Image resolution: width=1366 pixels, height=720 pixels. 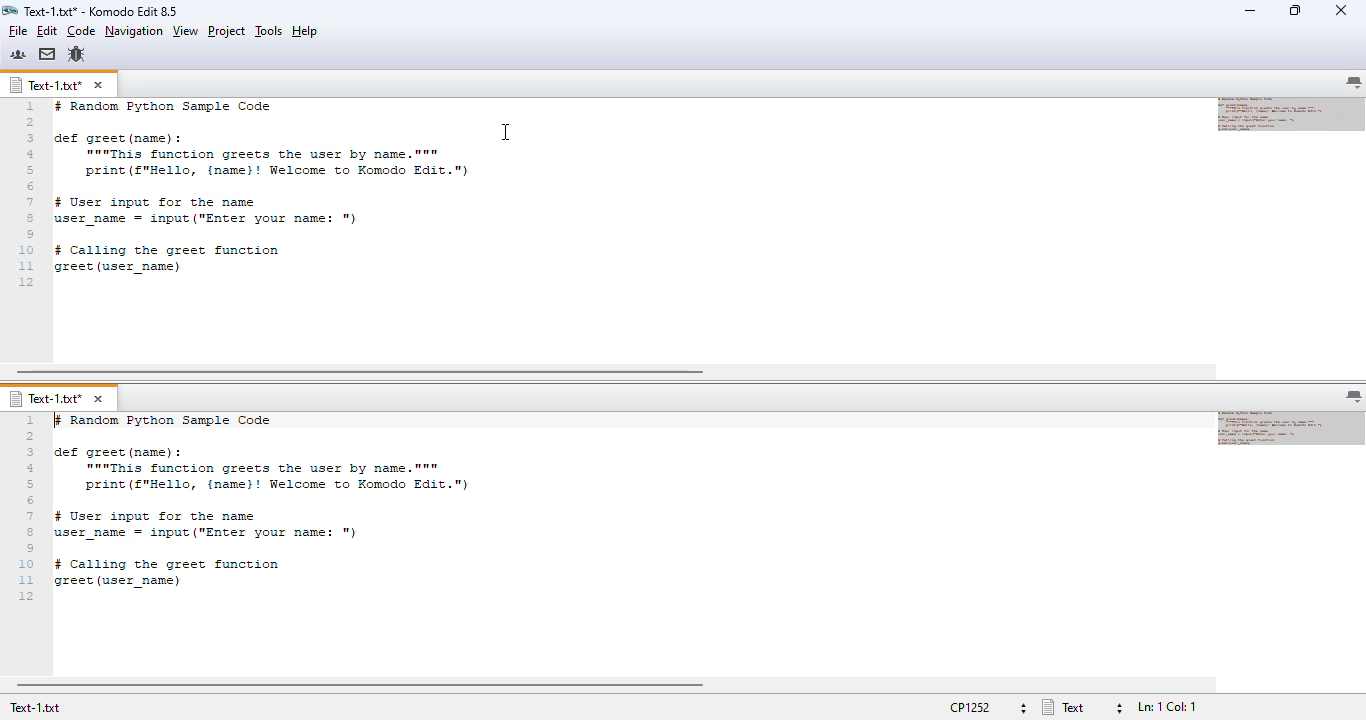 I want to click on text, so click(x=332, y=504).